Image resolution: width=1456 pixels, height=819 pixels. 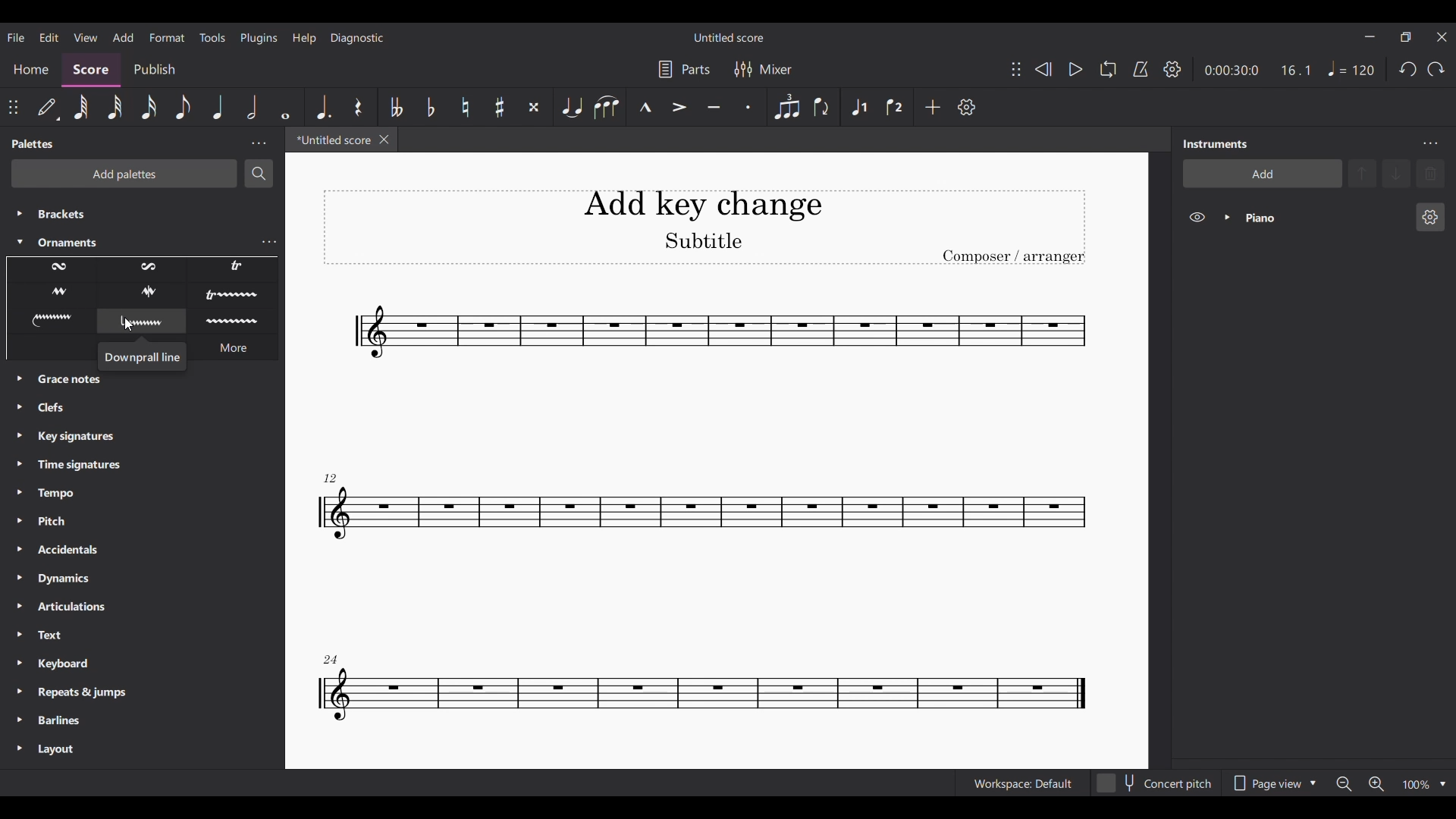 I want to click on Score title, so click(x=728, y=37).